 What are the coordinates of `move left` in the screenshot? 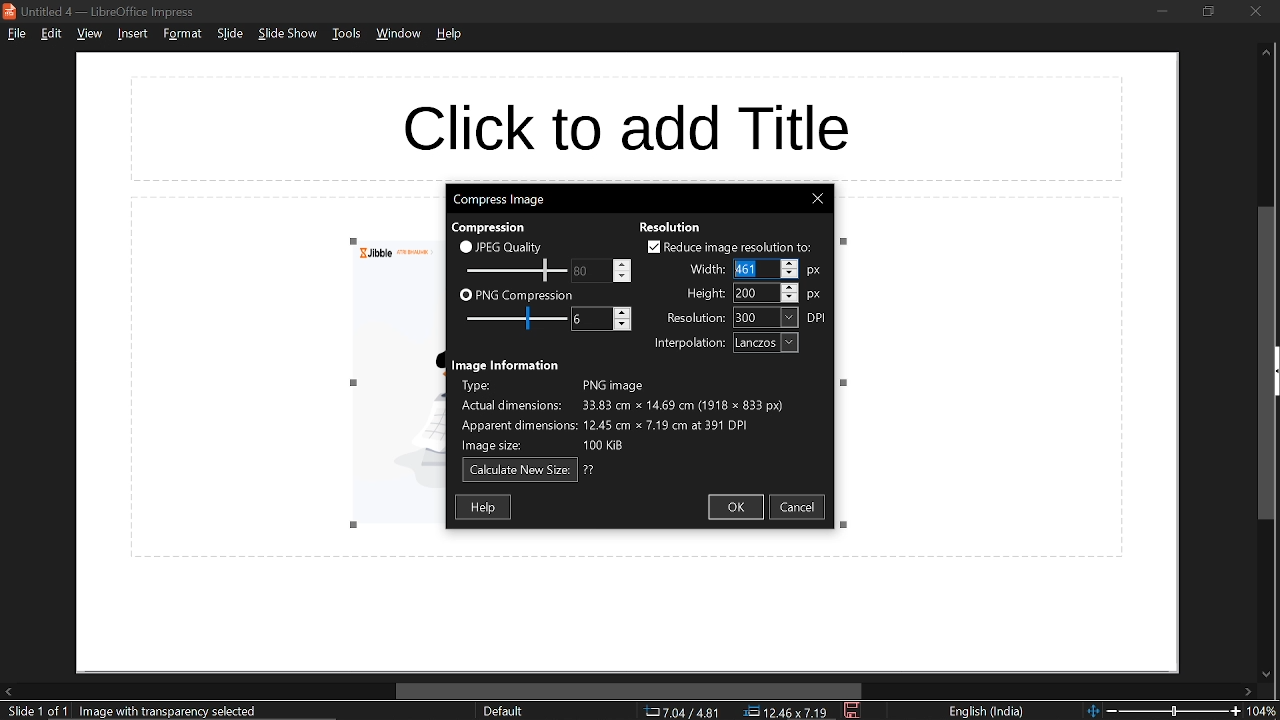 It's located at (8, 692).